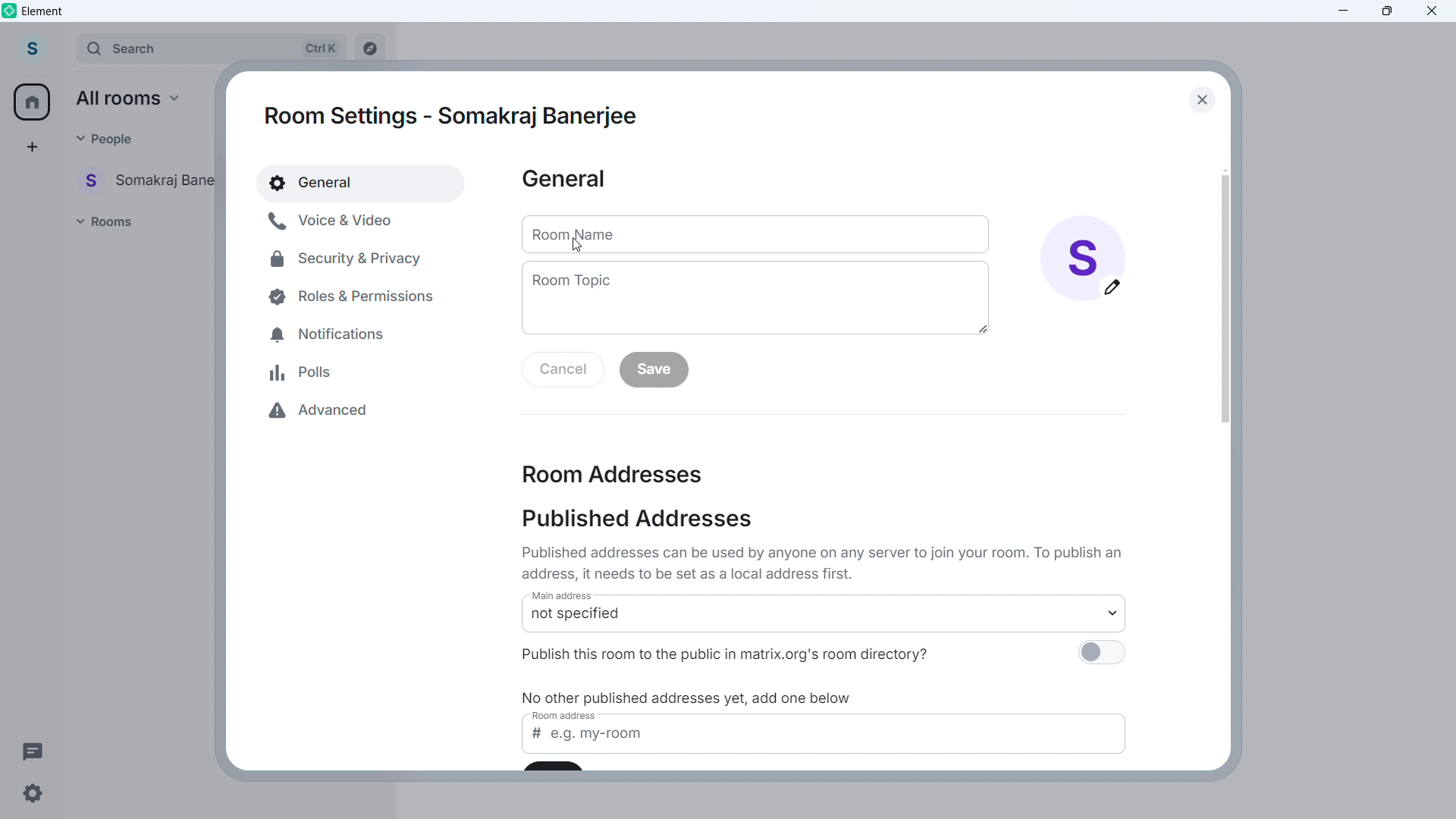  What do you see at coordinates (563, 180) in the screenshot?
I see `General ` at bounding box center [563, 180].